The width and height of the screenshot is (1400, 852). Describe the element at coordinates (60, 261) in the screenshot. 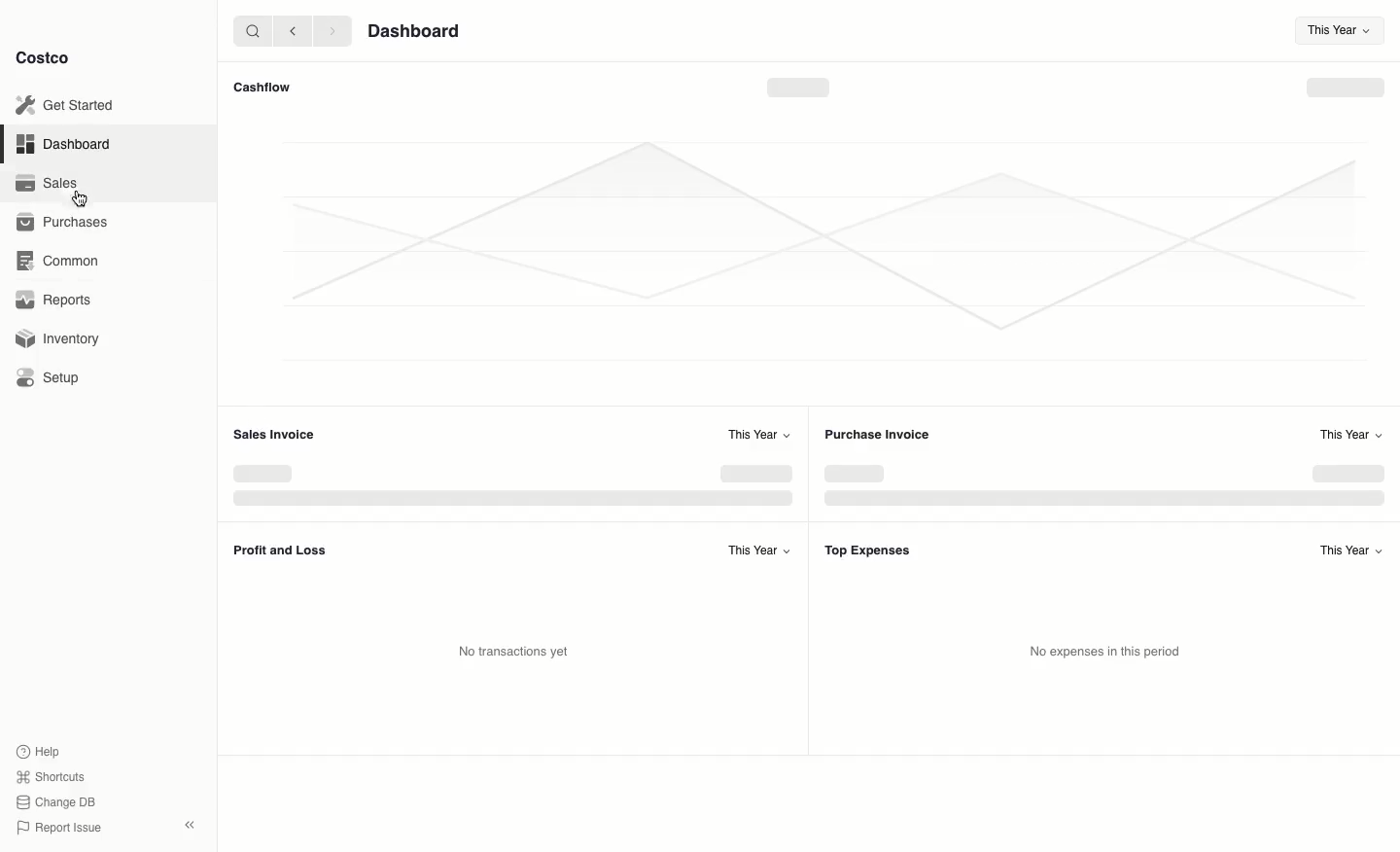

I see `Common` at that location.